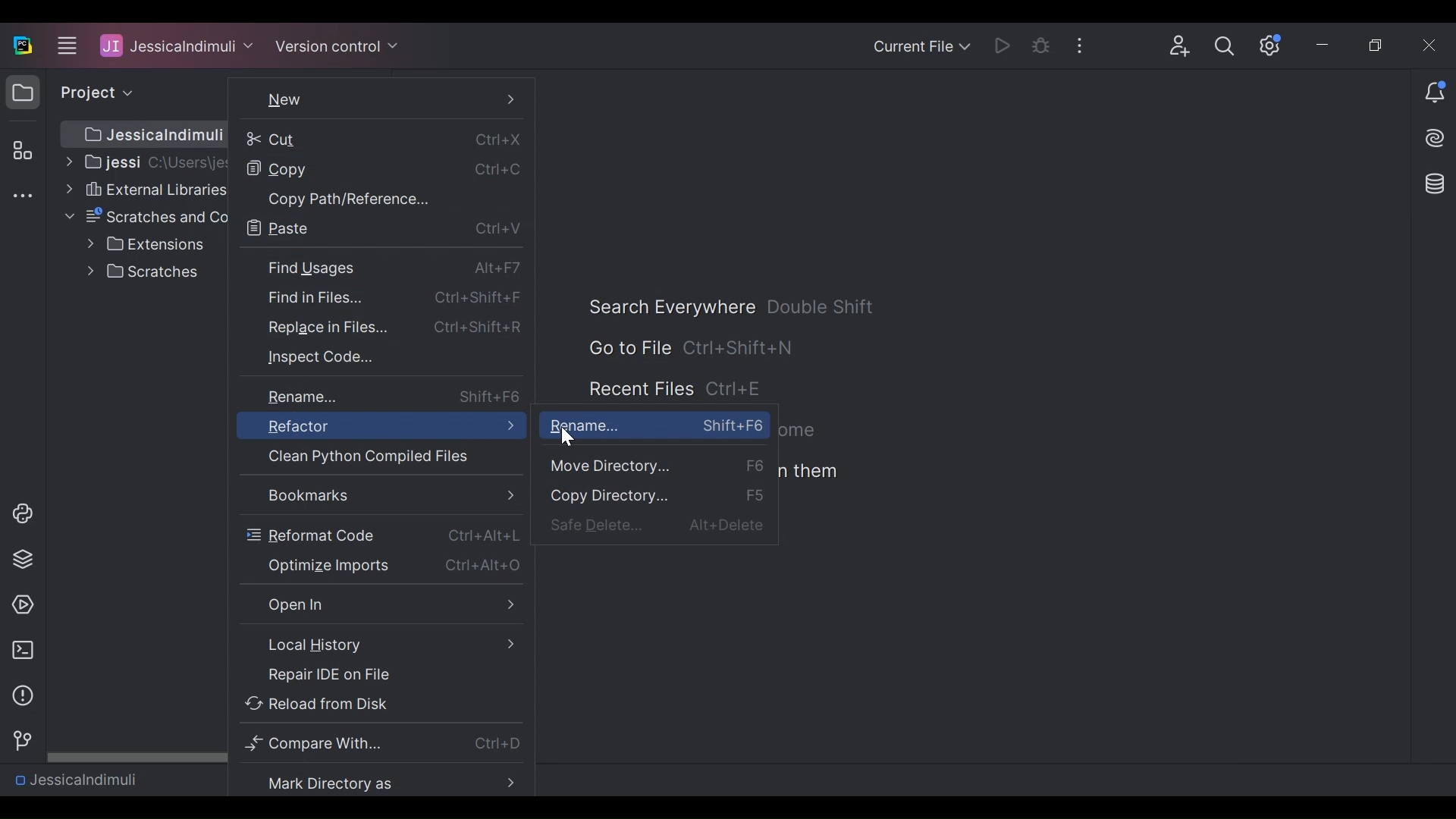 This screenshot has height=819, width=1456. Describe the element at coordinates (640, 390) in the screenshot. I see `Recent Files` at that location.